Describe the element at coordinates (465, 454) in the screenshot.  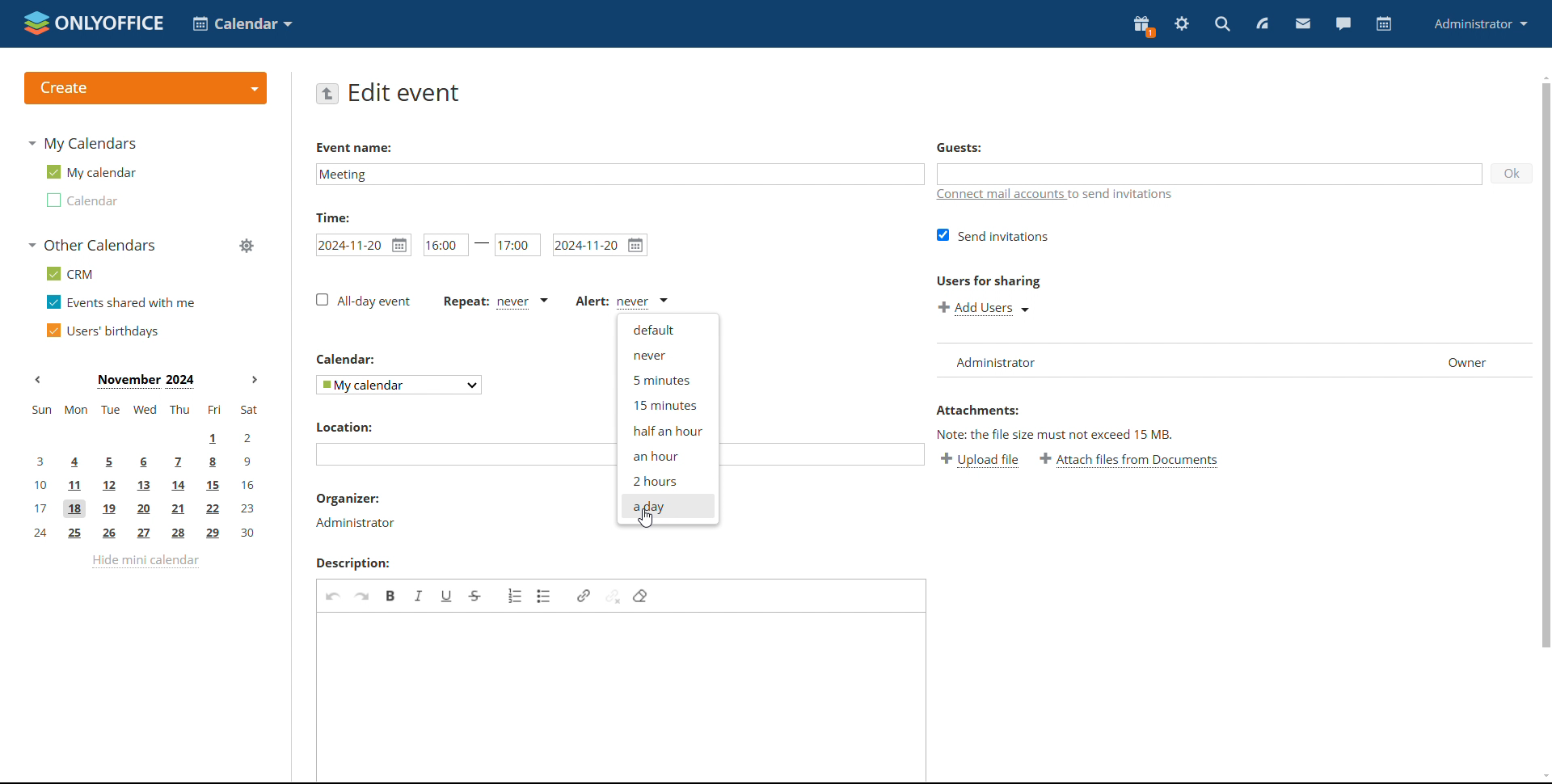
I see `add location` at that location.